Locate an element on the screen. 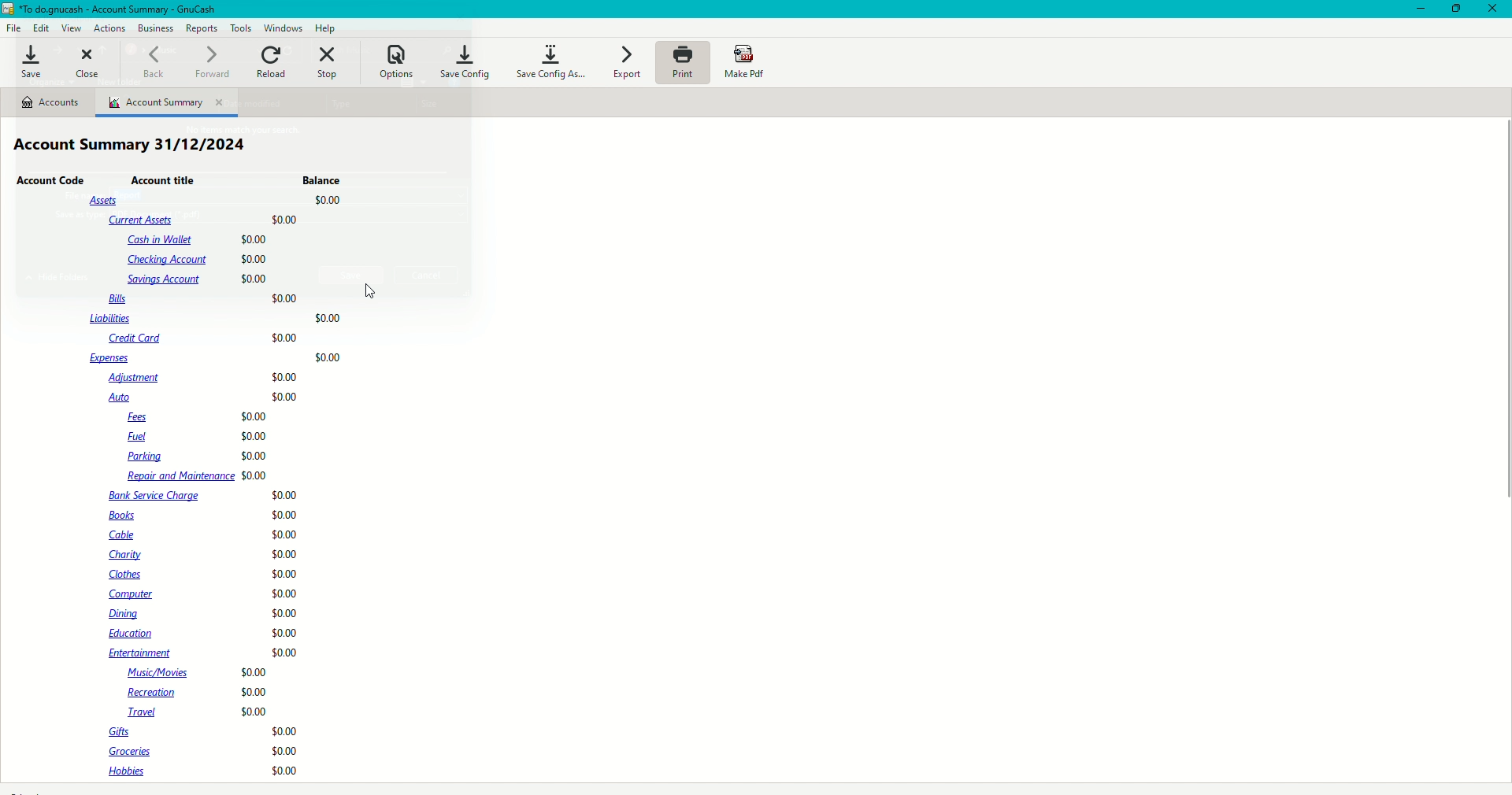 Image resolution: width=1512 pixels, height=795 pixels. Tools is located at coordinates (242, 28).